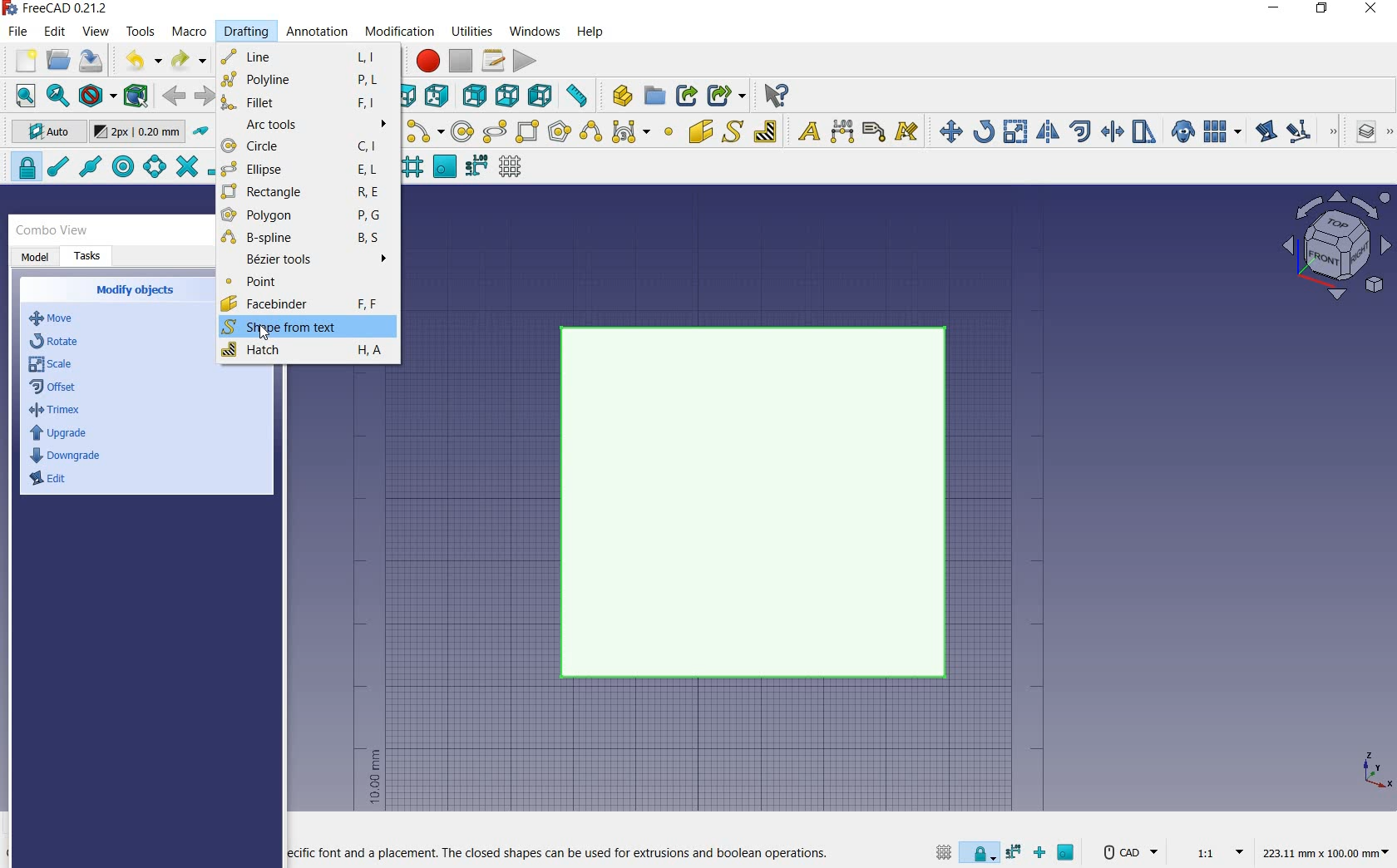  I want to click on downgrade, so click(68, 456).